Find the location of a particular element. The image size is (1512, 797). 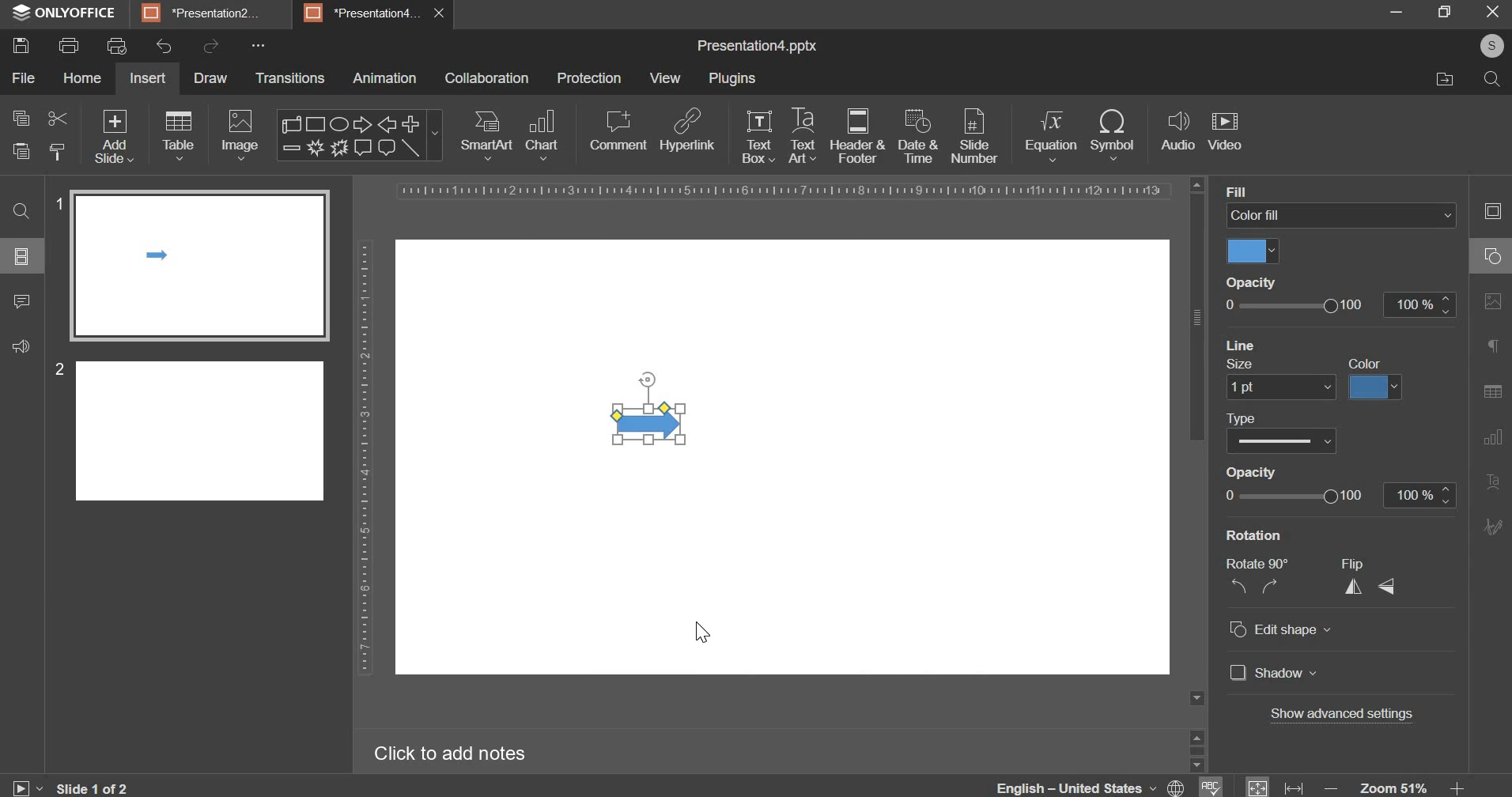

vertical scale is located at coordinates (360, 459).